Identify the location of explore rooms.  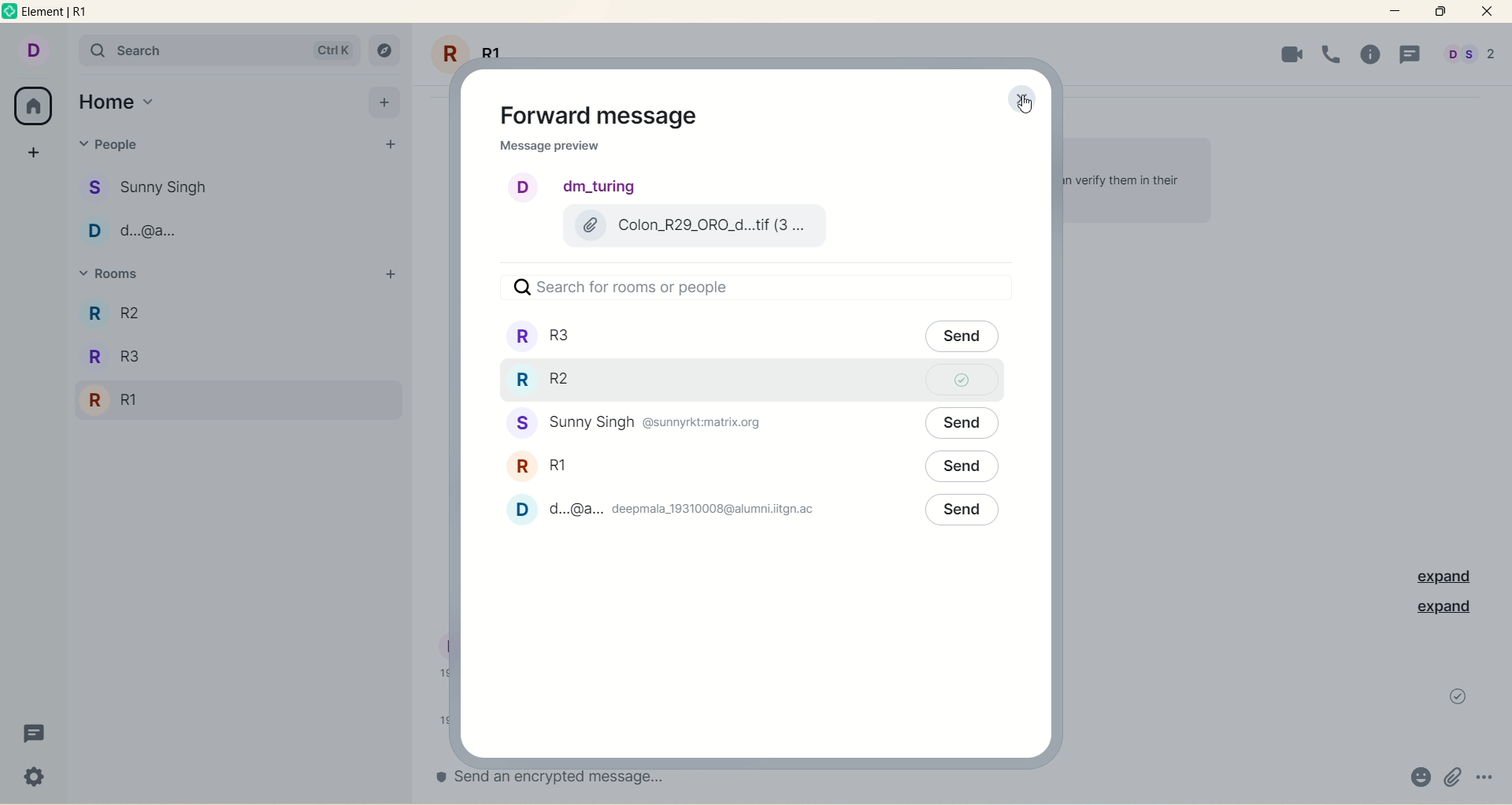
(386, 52).